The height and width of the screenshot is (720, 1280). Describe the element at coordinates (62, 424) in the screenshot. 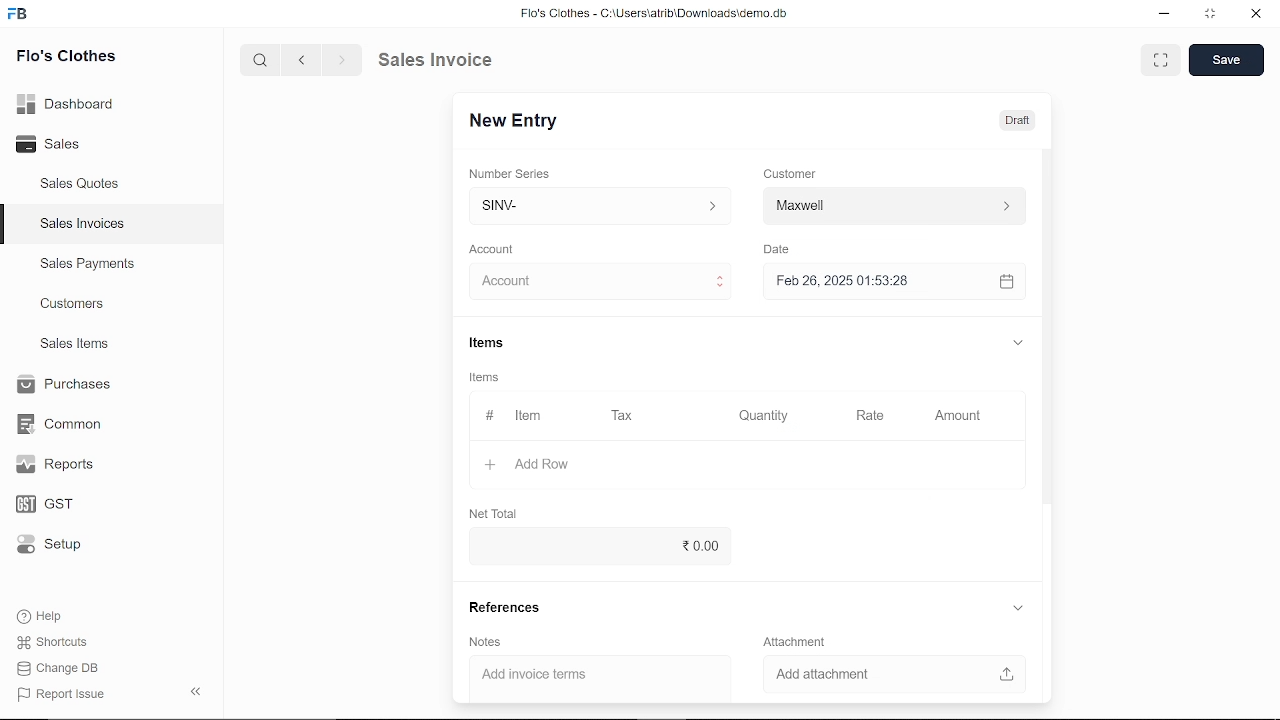

I see `Common` at that location.